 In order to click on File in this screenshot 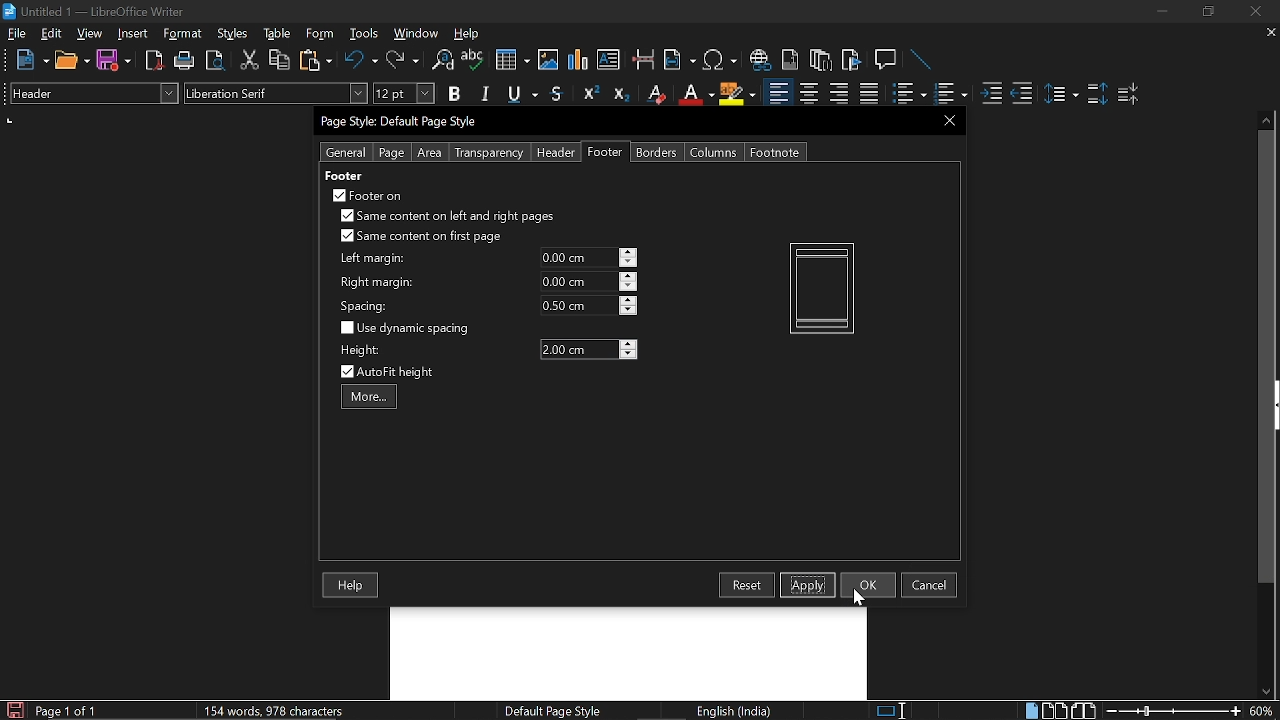, I will do `click(17, 33)`.